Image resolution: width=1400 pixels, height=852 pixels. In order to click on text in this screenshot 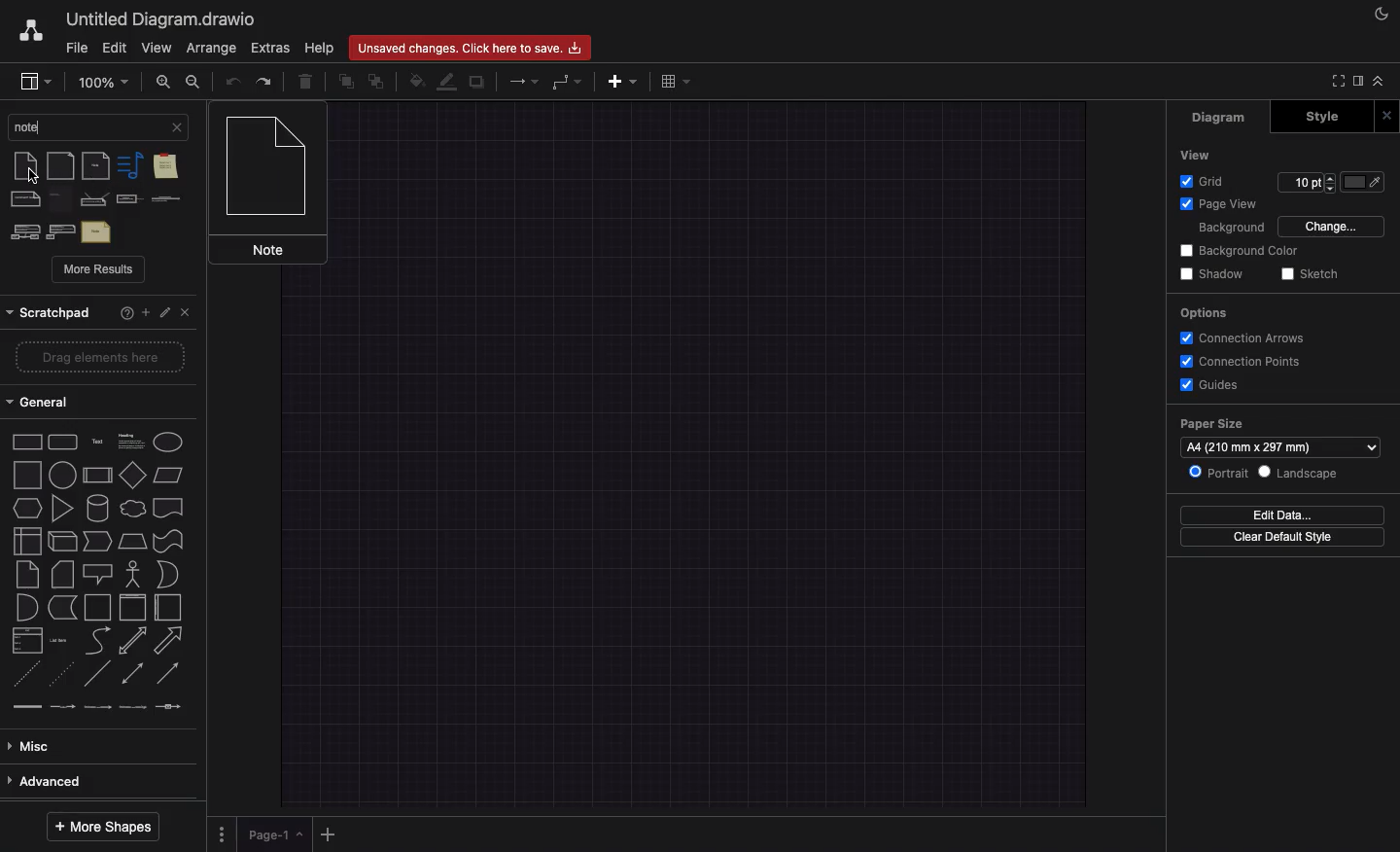, I will do `click(97, 441)`.